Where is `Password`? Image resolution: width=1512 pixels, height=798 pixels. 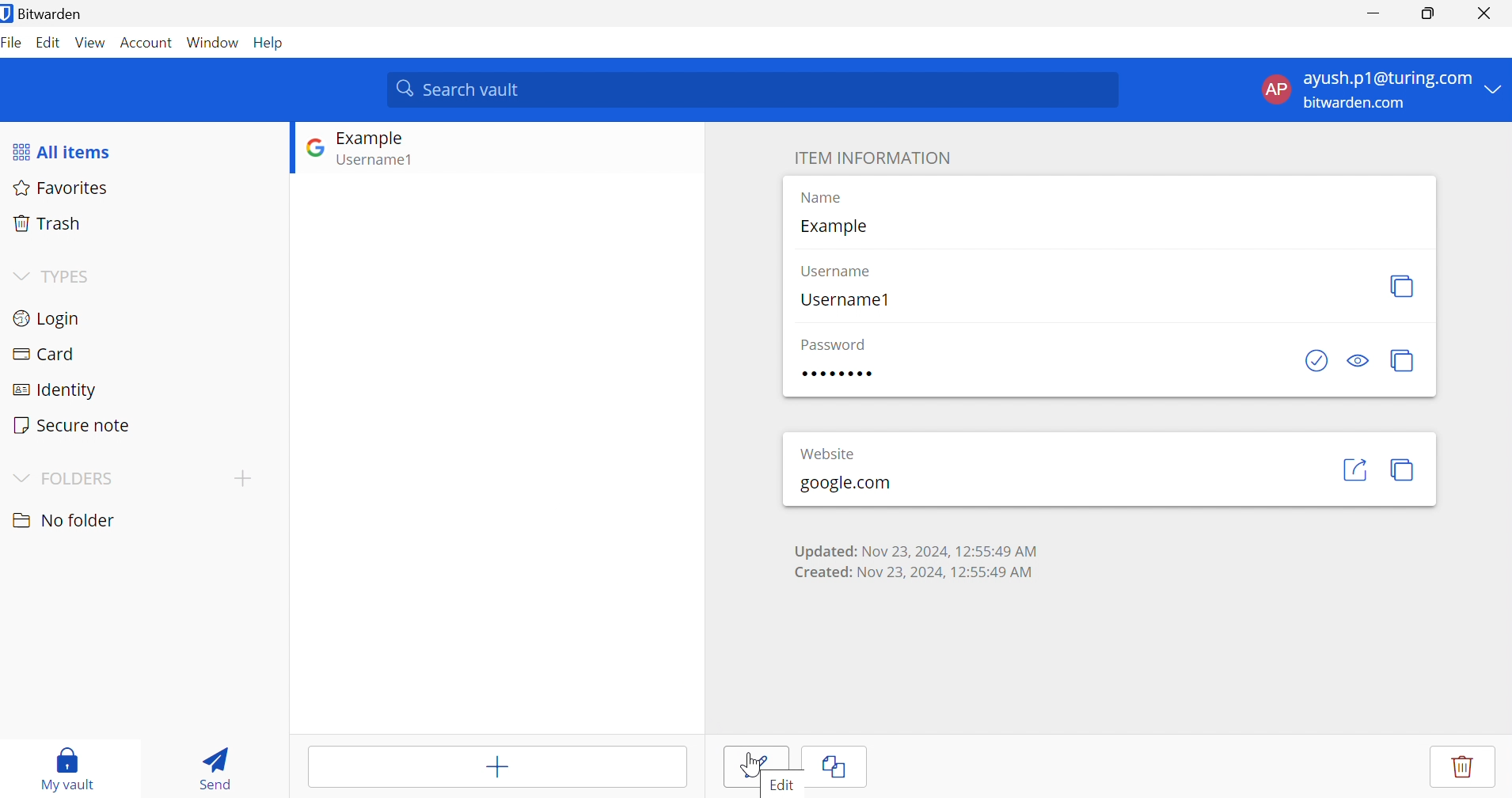
Password is located at coordinates (833, 344).